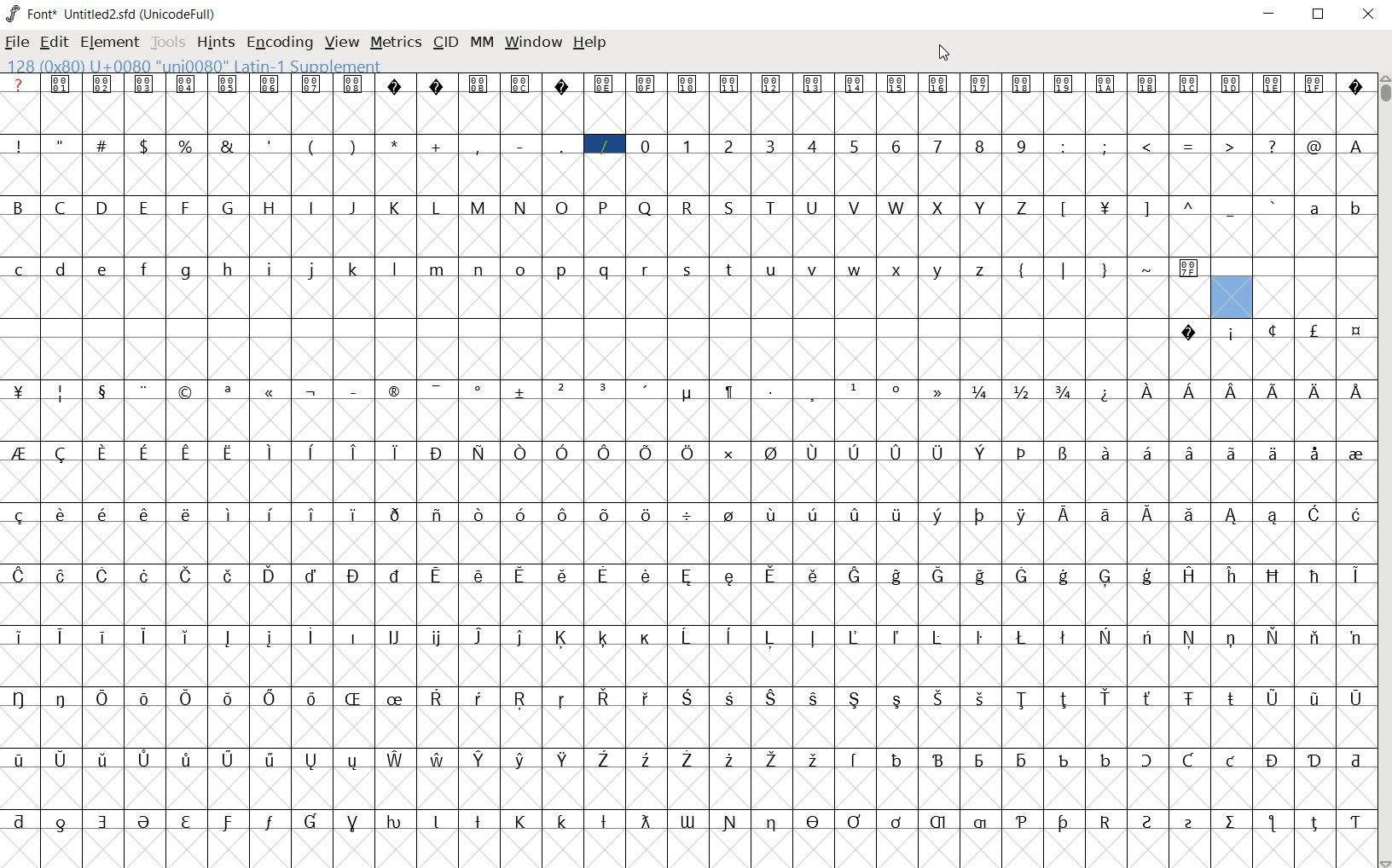 Image resolution: width=1392 pixels, height=868 pixels. What do you see at coordinates (728, 760) in the screenshot?
I see `glyph` at bounding box center [728, 760].